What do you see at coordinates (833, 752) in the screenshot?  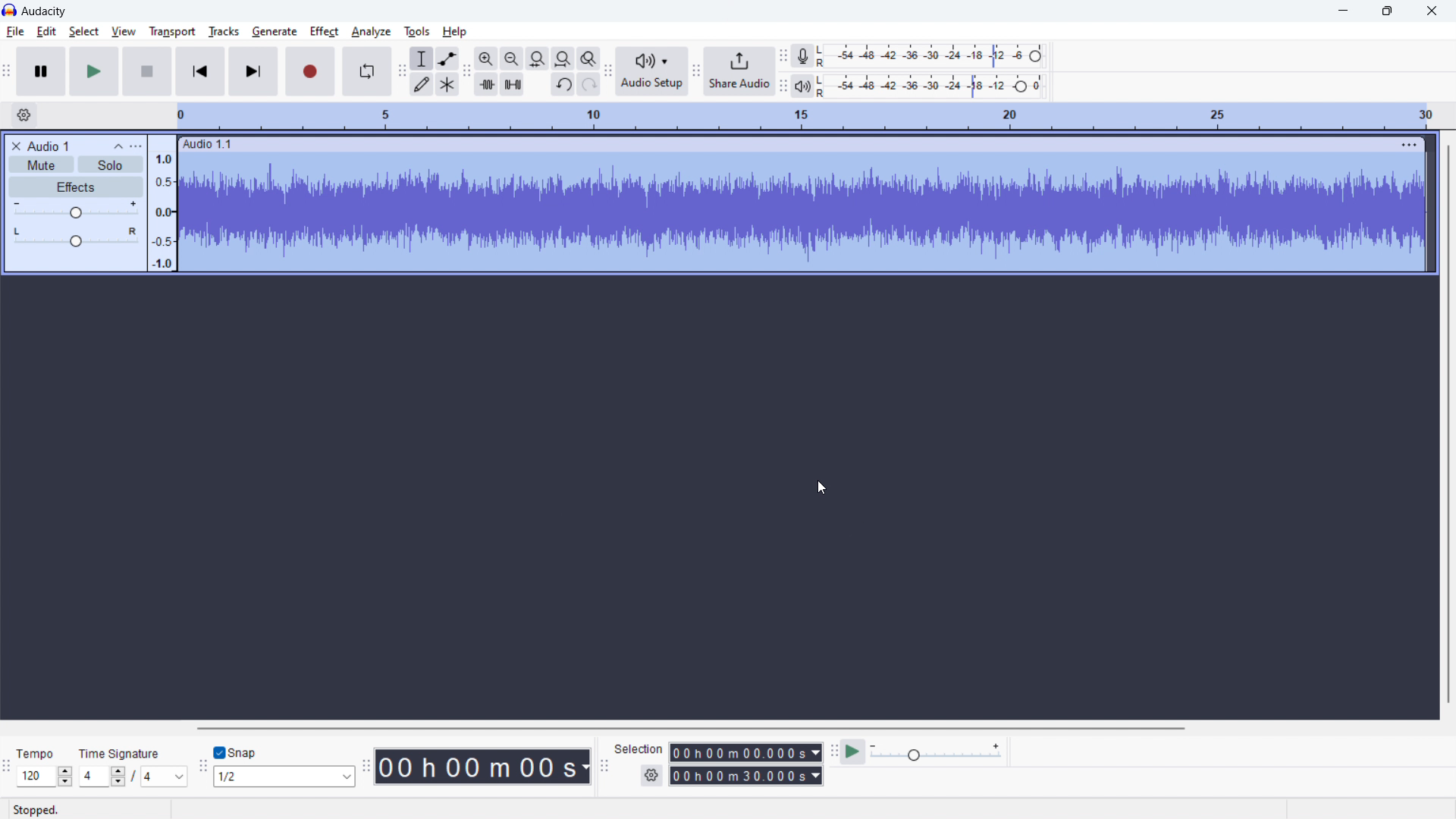 I see `play at speed toolbar` at bounding box center [833, 752].